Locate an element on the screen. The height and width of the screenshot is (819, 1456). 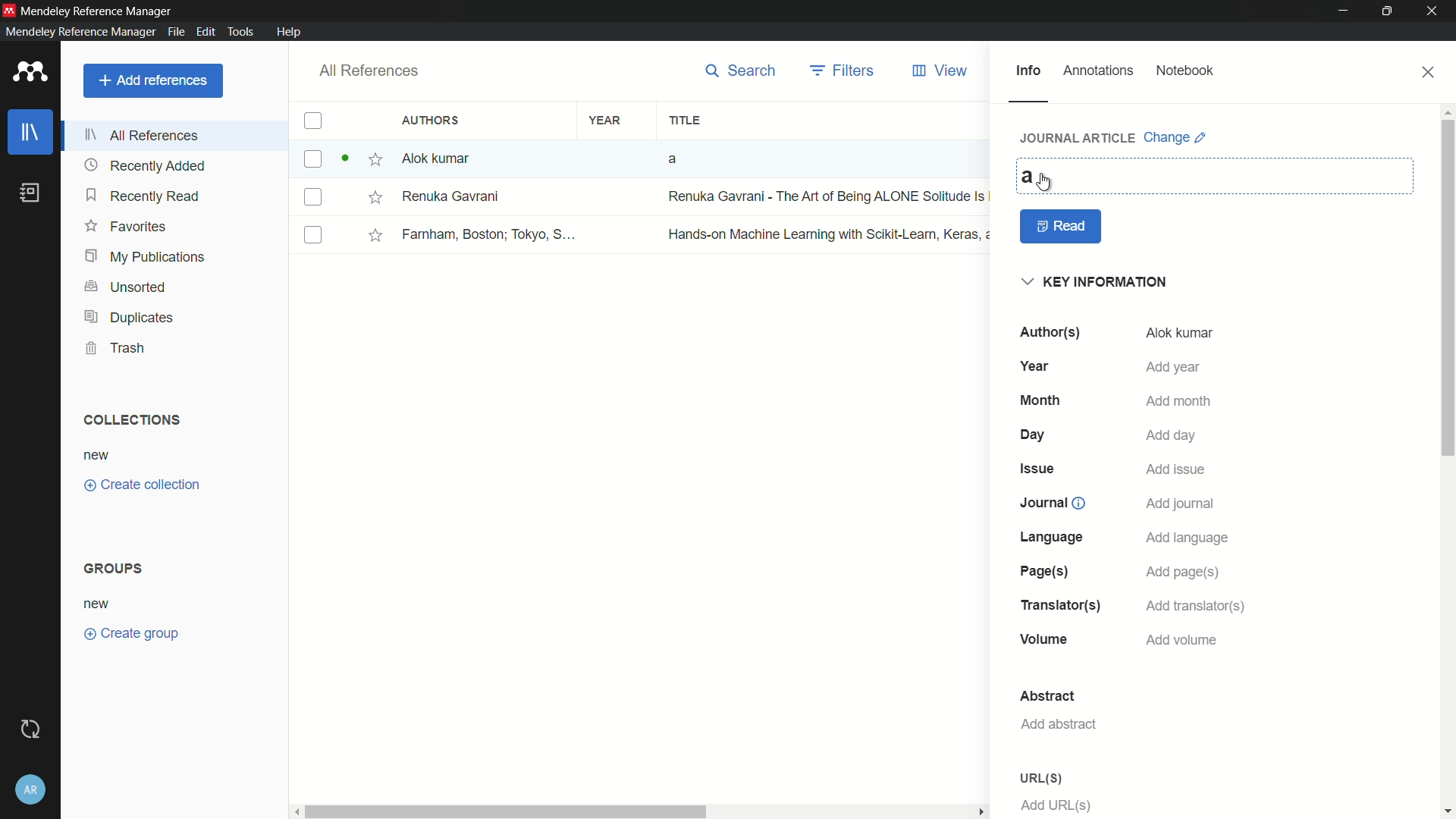
add month is located at coordinates (1179, 403).